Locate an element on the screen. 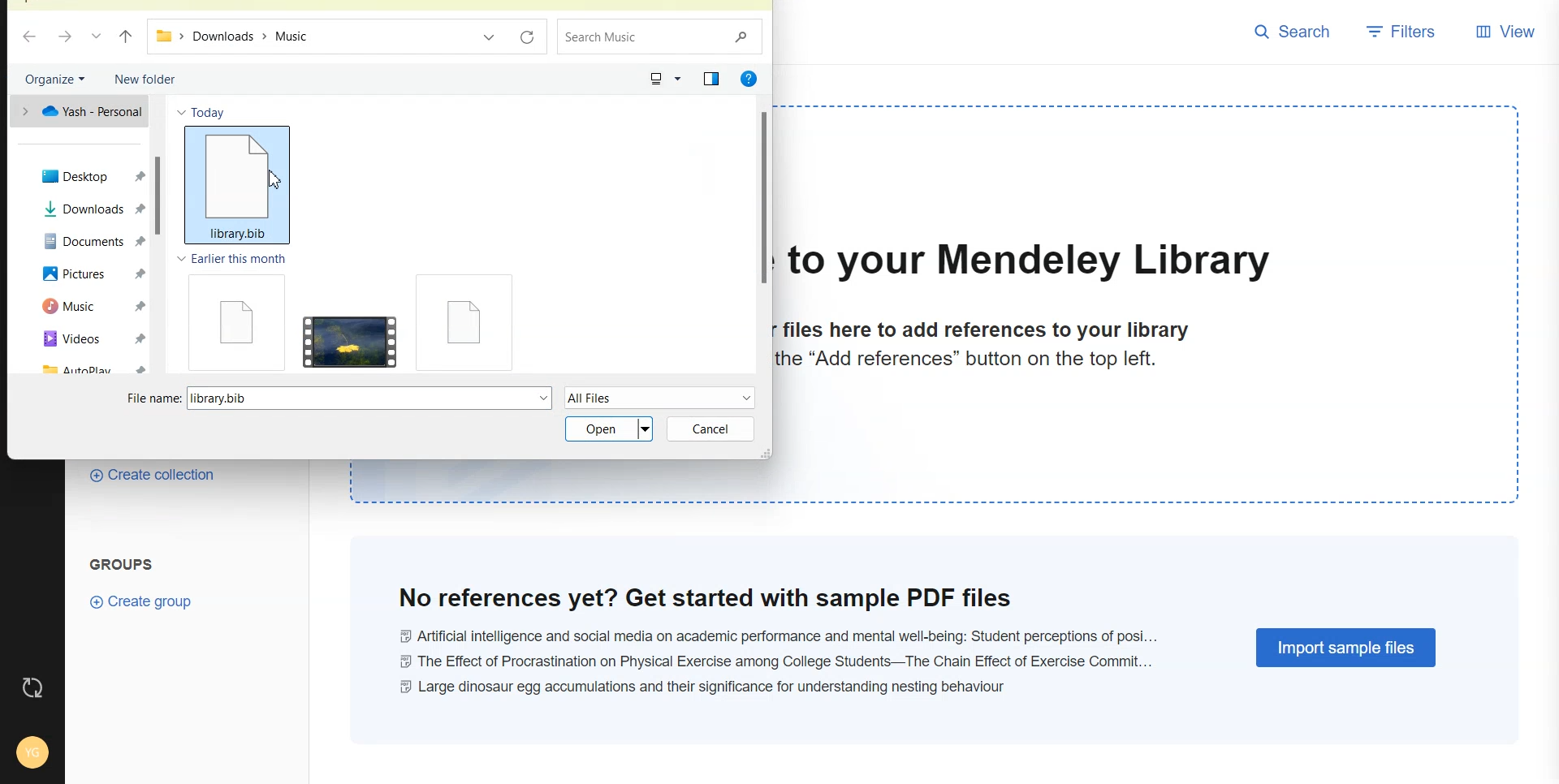 Image resolution: width=1559 pixels, height=784 pixels. Go back is located at coordinates (29, 35).